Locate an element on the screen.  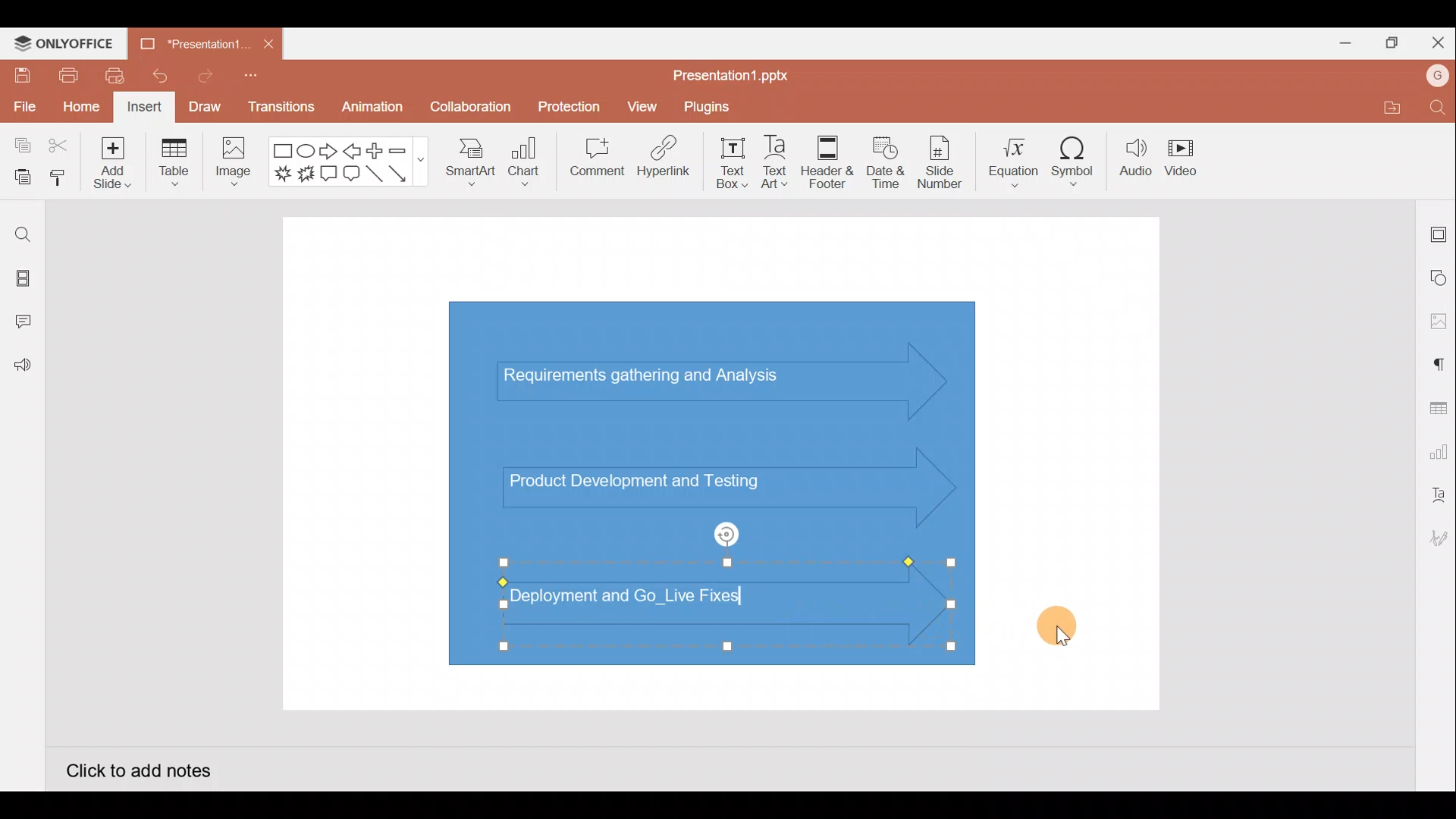
Text Art settings is located at coordinates (1437, 495).